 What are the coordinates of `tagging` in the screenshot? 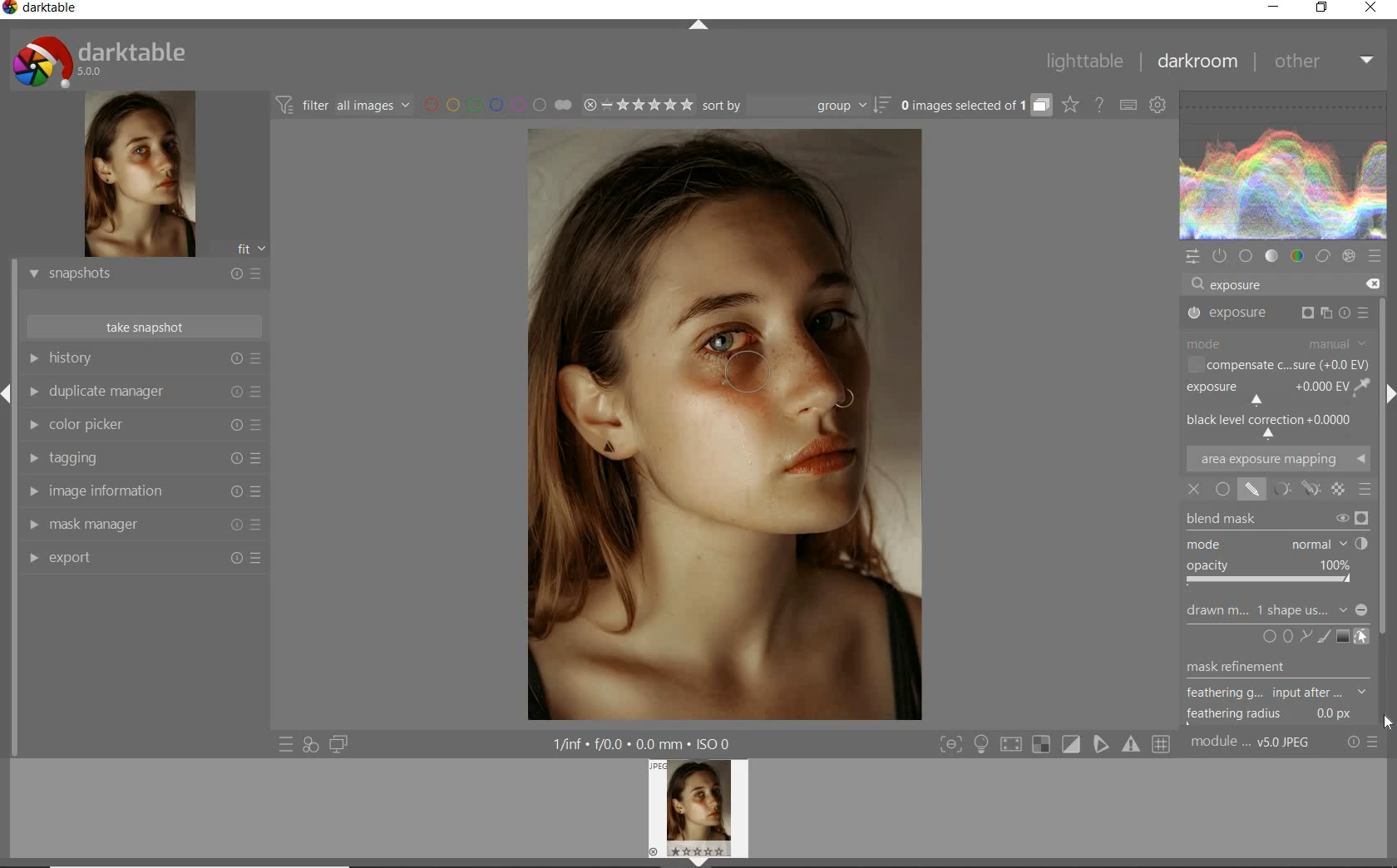 It's located at (143, 456).